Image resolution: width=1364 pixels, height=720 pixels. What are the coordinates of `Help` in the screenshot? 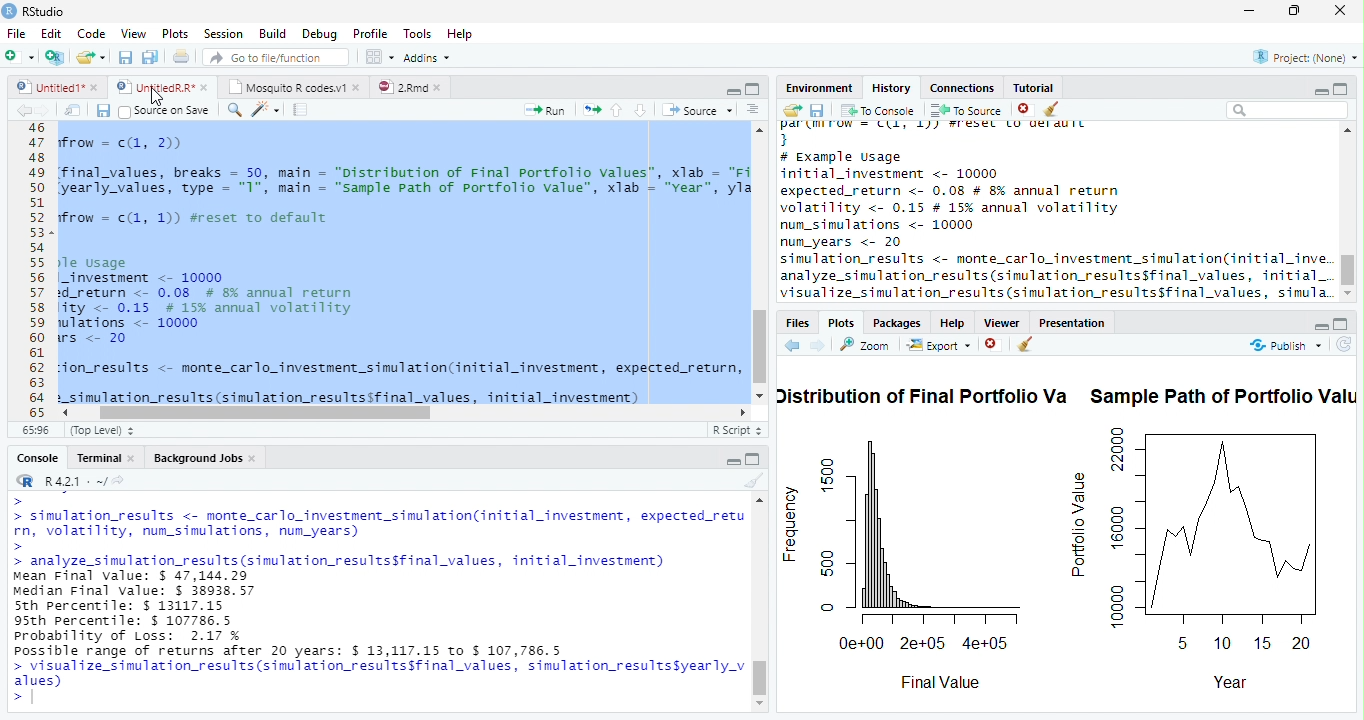 It's located at (952, 322).